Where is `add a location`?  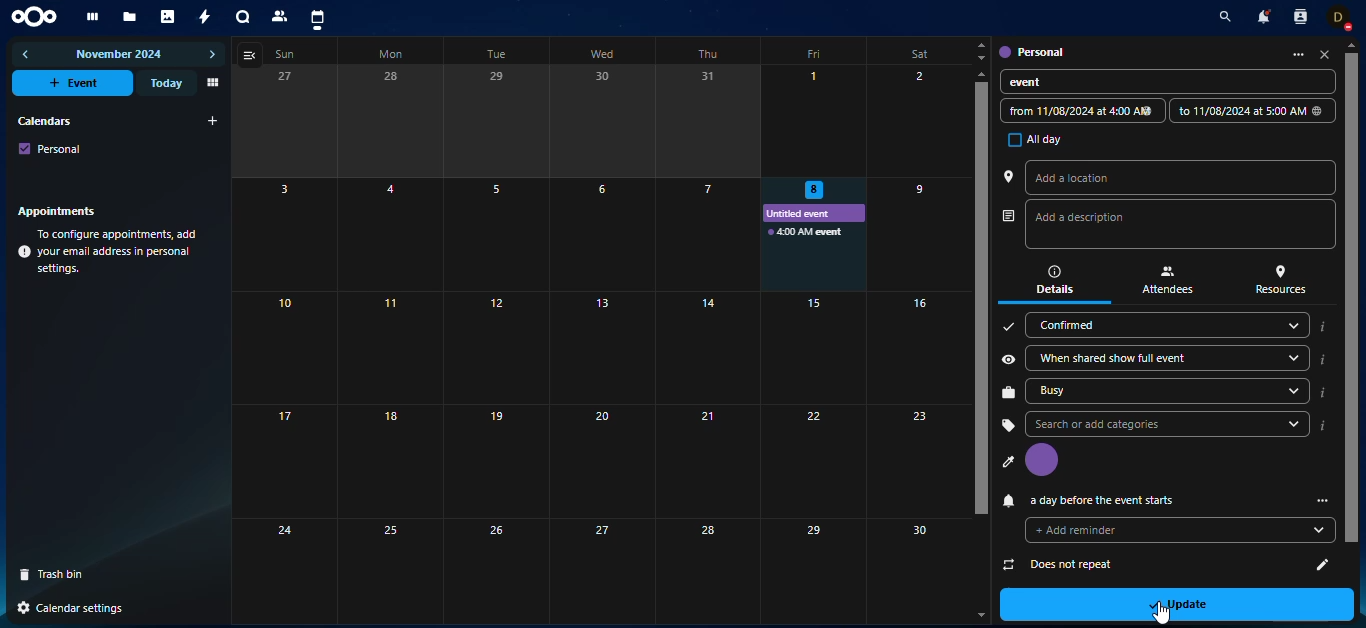 add a location is located at coordinates (1092, 176).